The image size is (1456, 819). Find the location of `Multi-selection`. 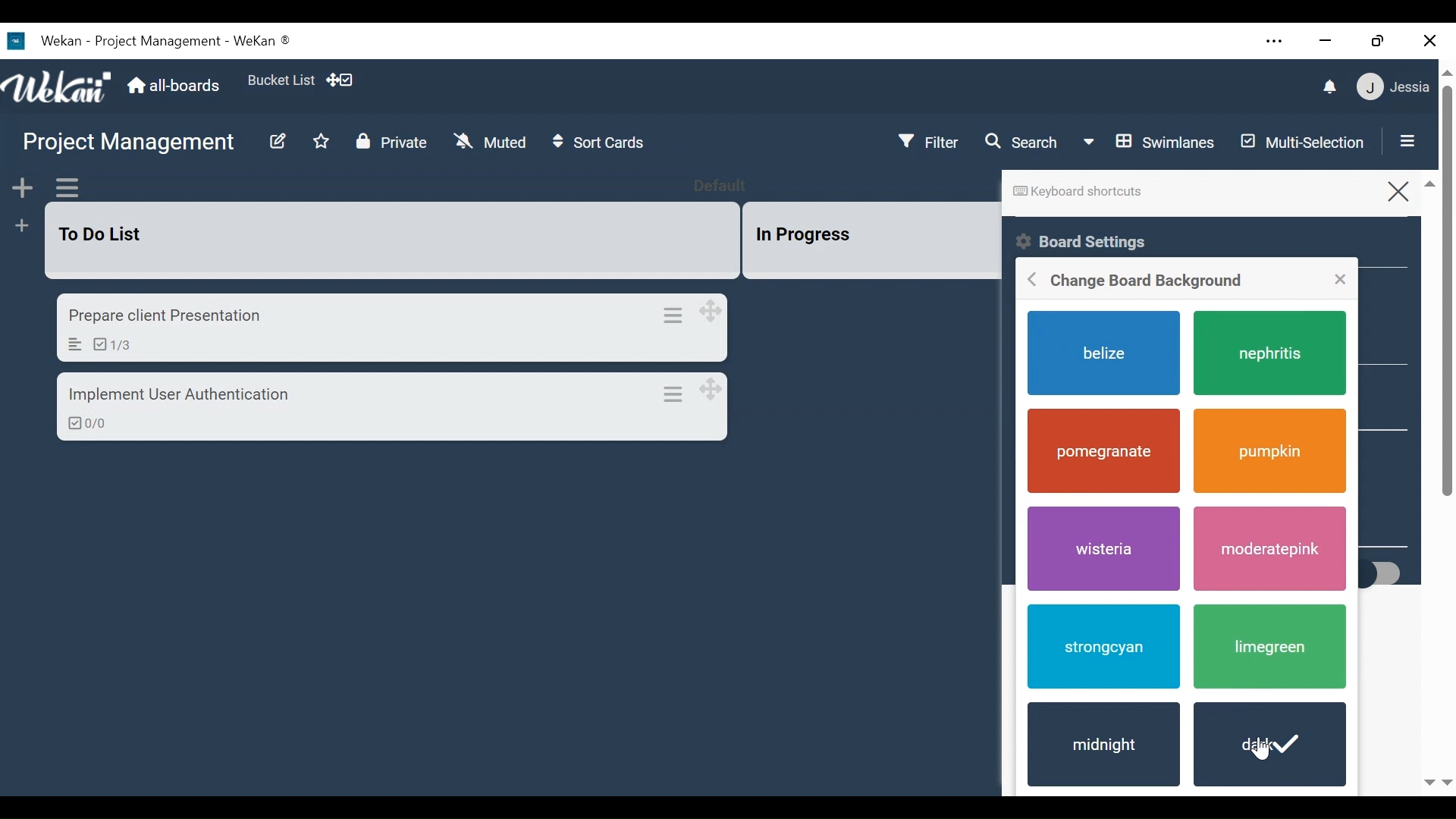

Multi-selection is located at coordinates (1307, 142).